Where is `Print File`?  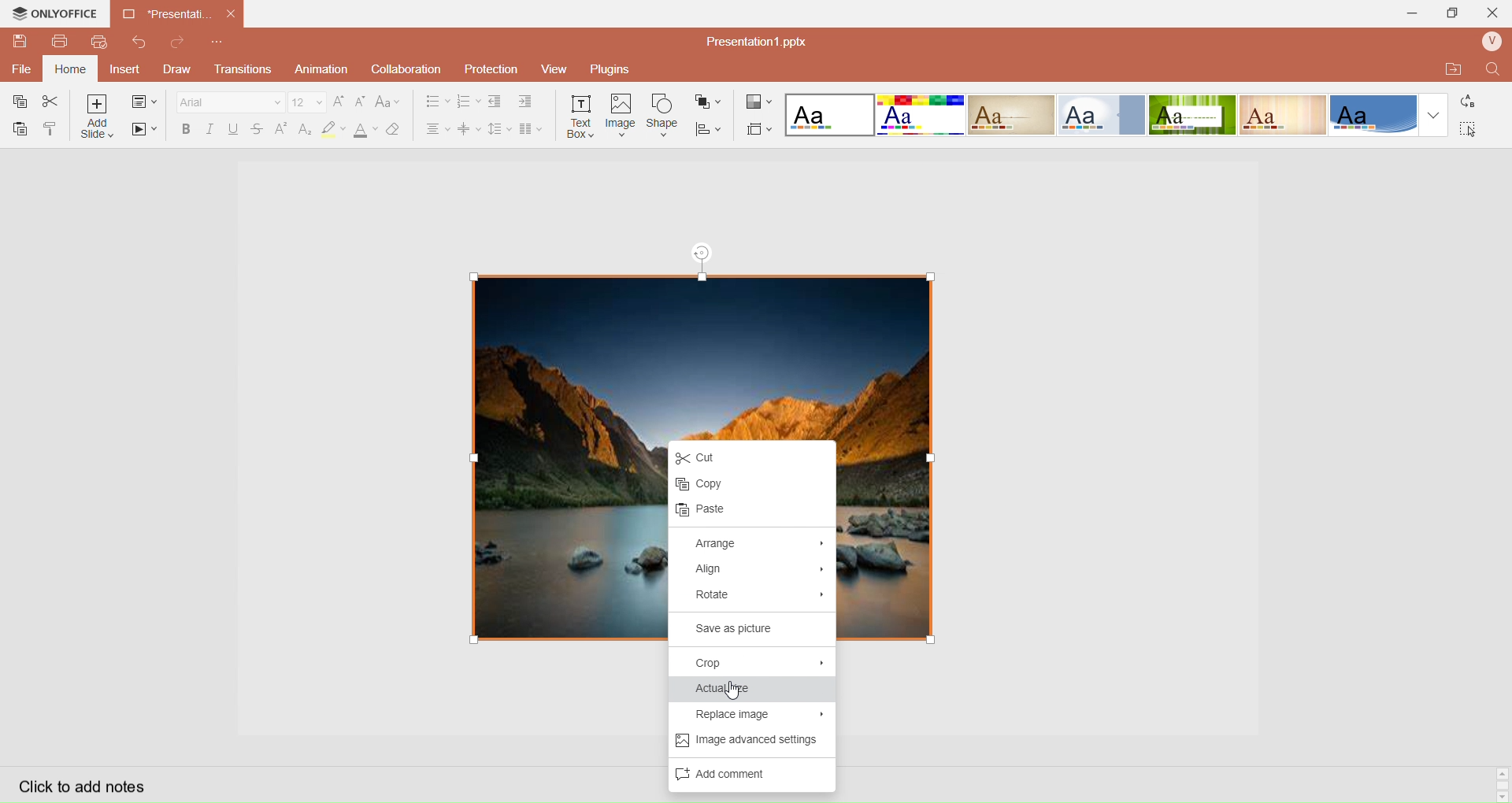 Print File is located at coordinates (60, 42).